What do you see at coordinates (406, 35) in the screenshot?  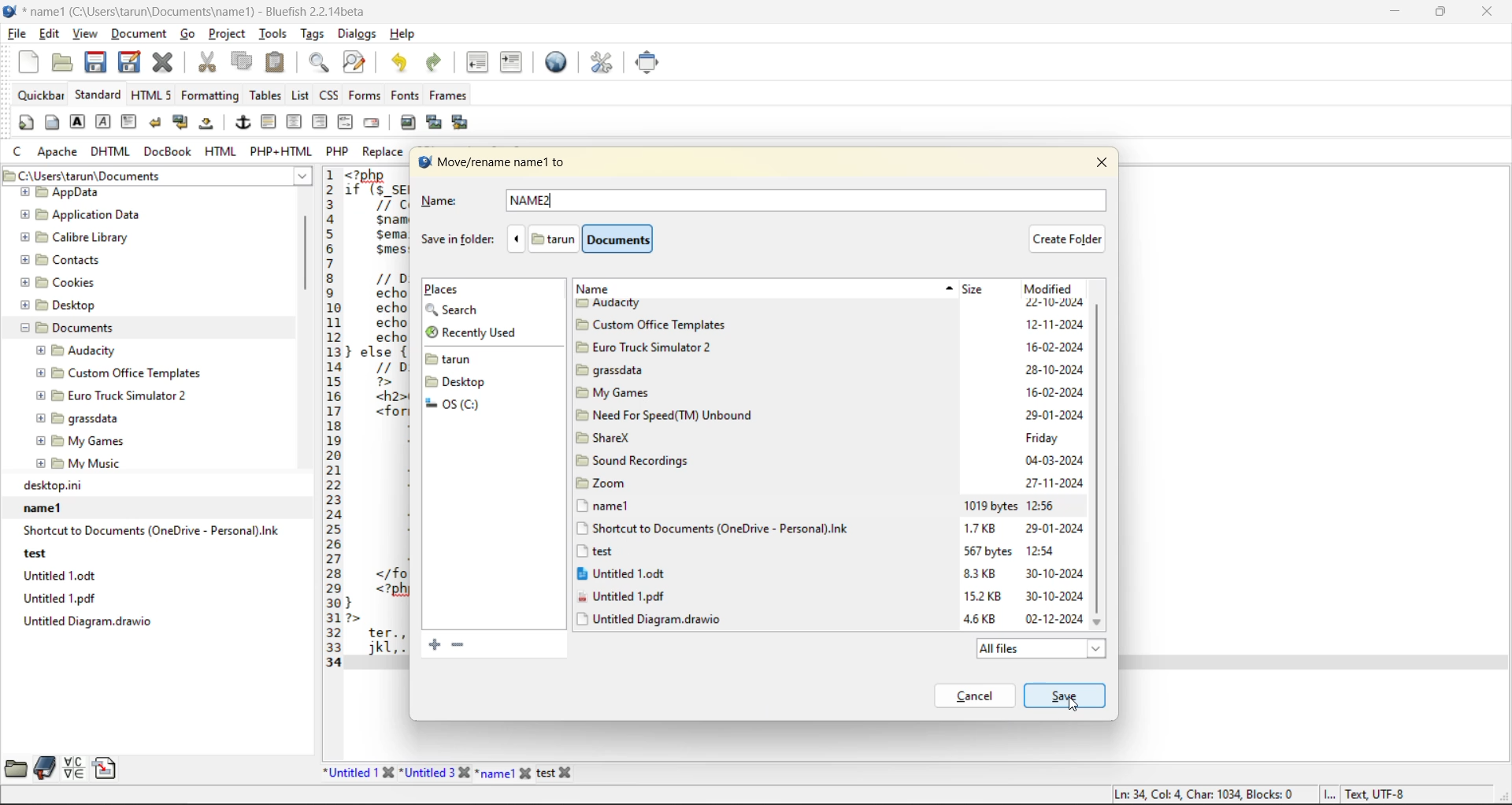 I see `help` at bounding box center [406, 35].